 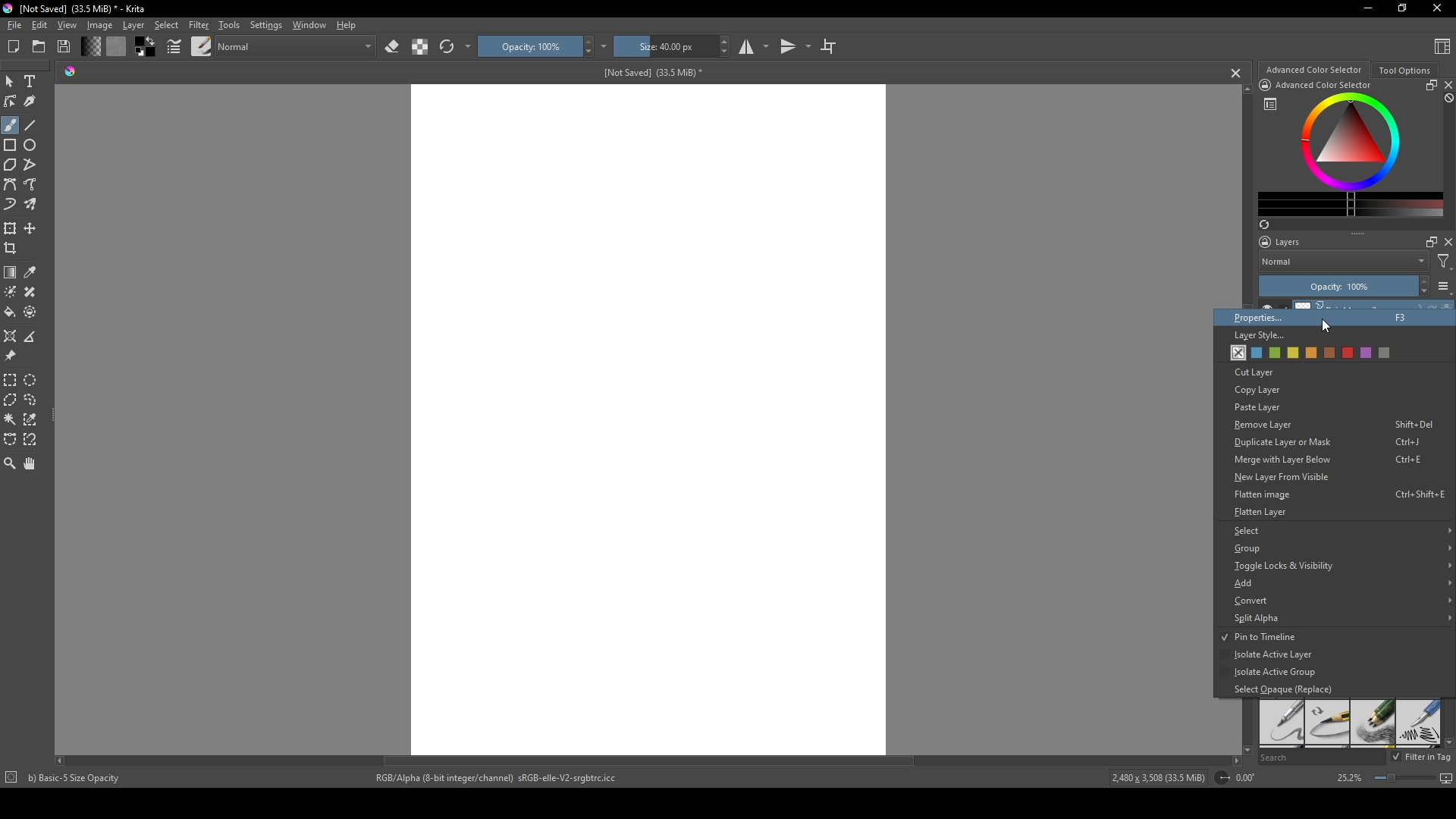 I want to click on Settings, so click(x=265, y=25).